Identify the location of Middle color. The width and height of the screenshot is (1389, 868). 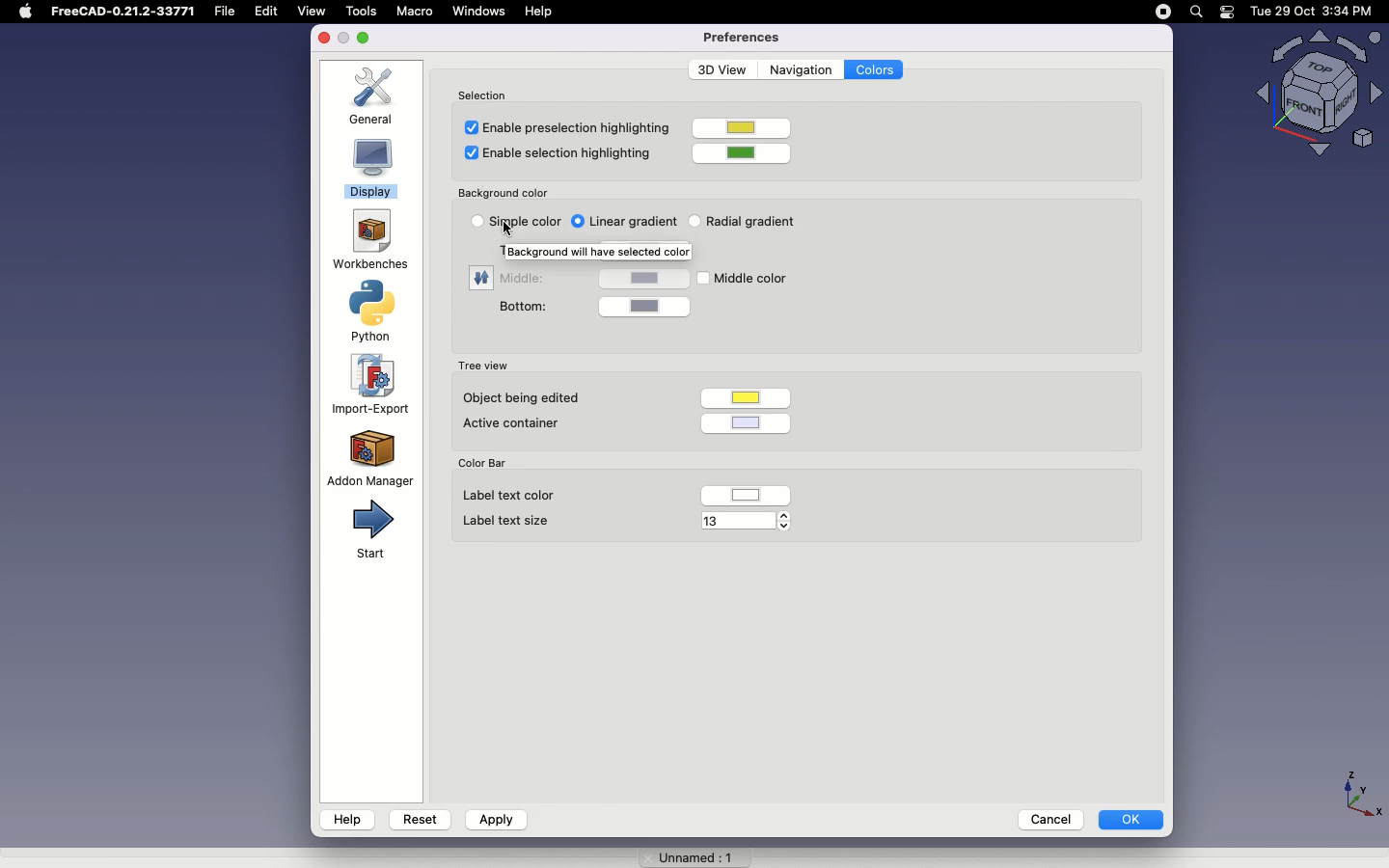
(761, 277).